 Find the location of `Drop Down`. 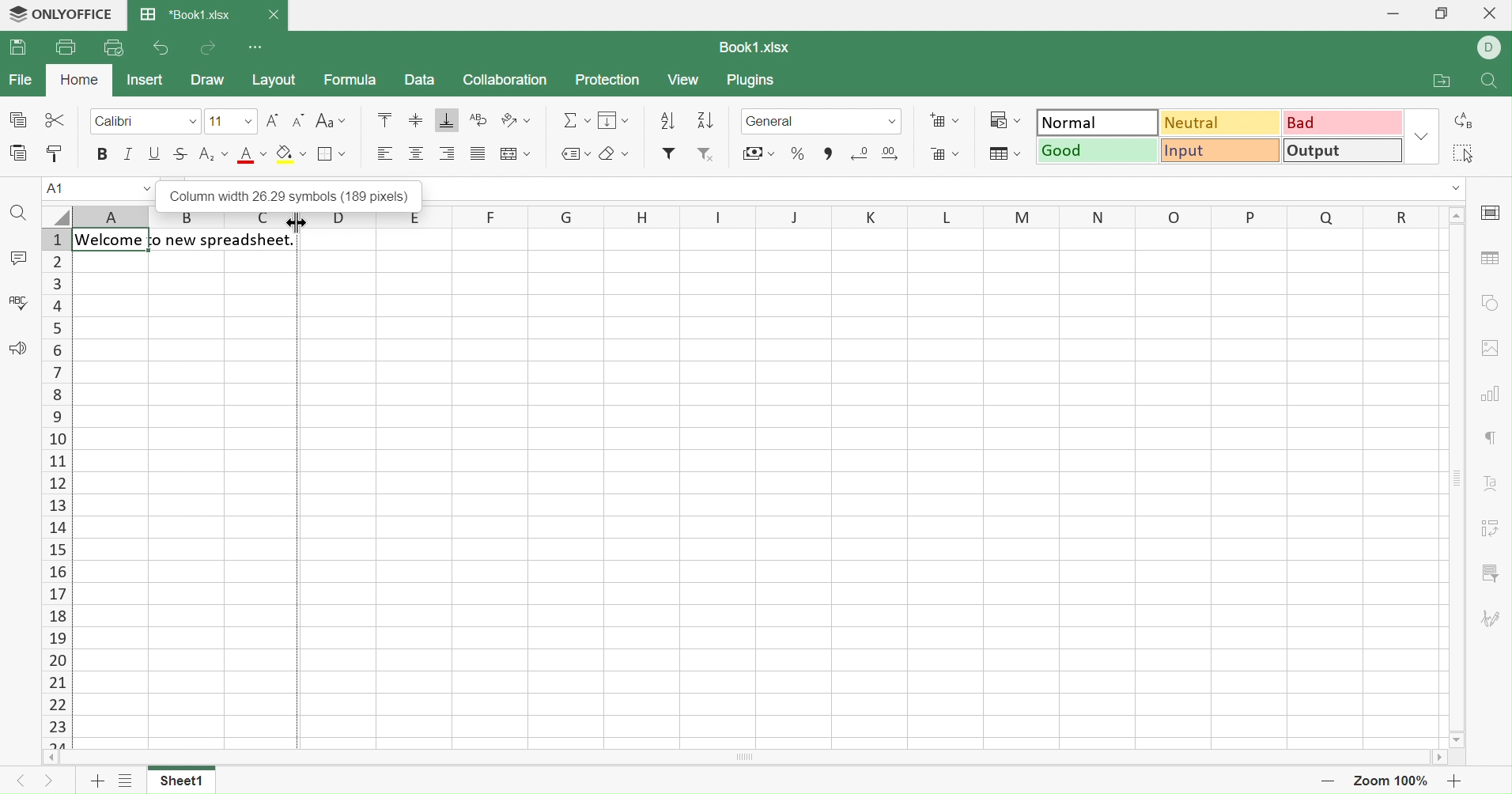

Drop Down is located at coordinates (1423, 135).